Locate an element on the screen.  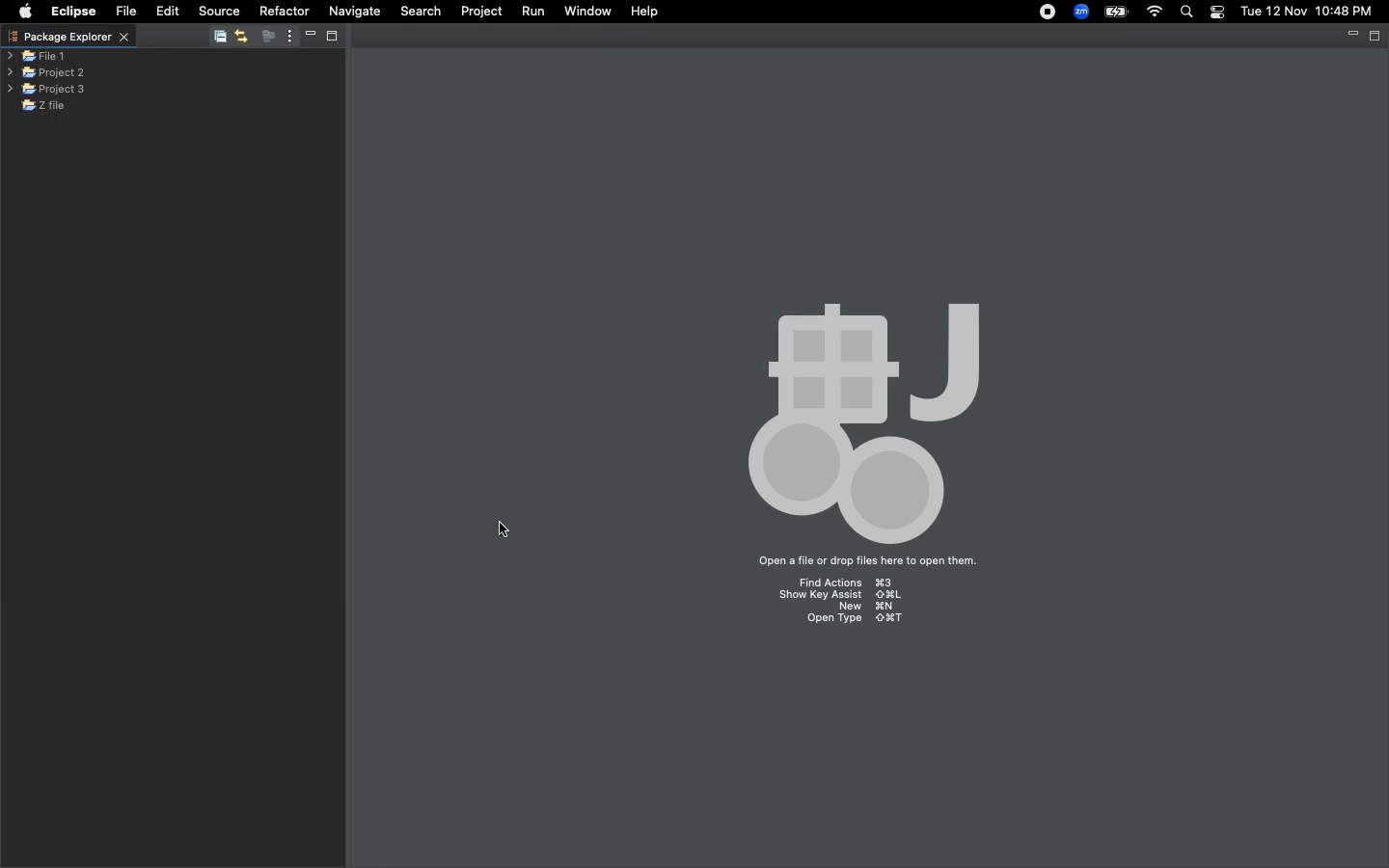
Navigate back/forward is located at coordinates (244, 36).